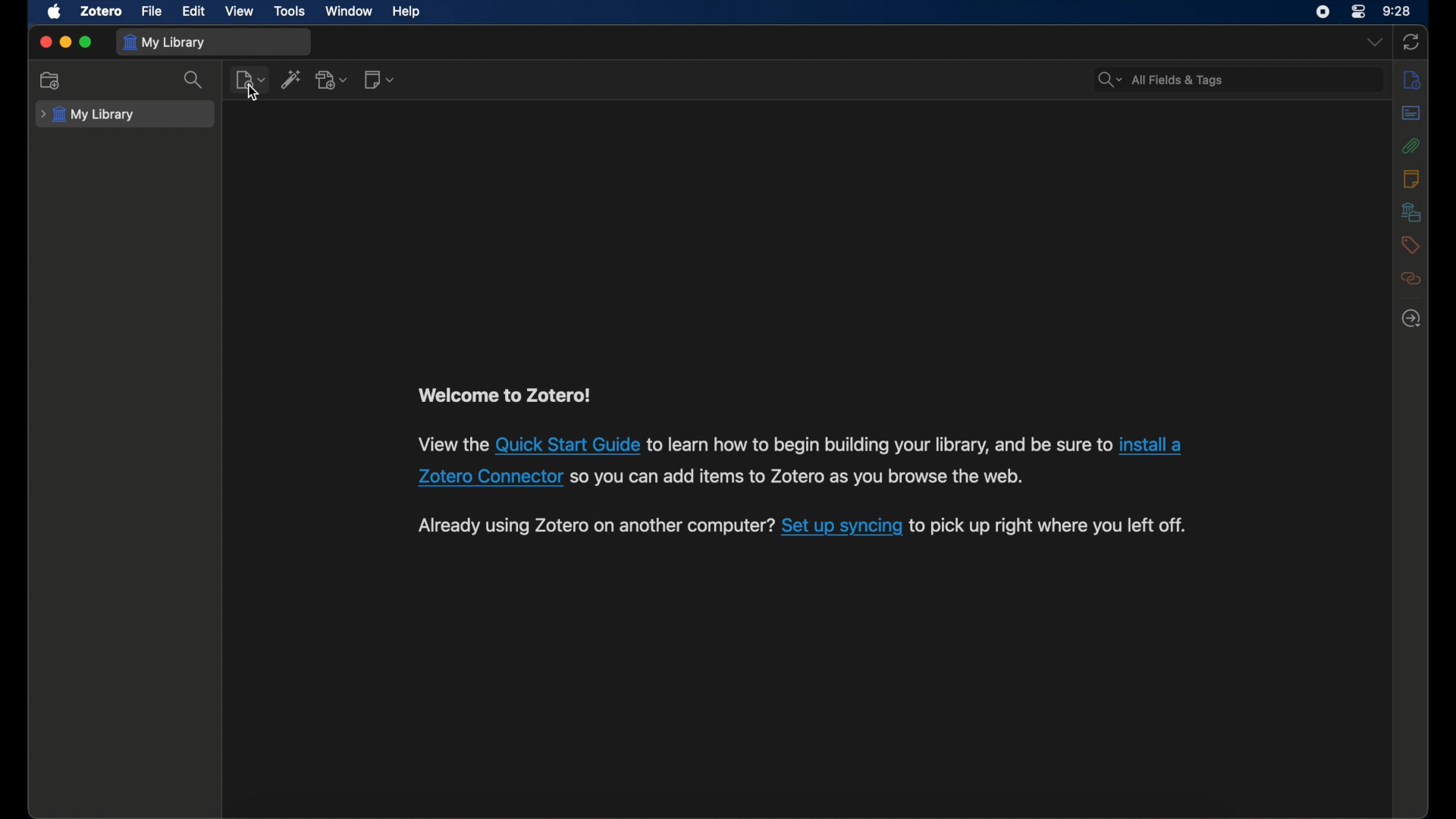 The height and width of the screenshot is (819, 1456). What do you see at coordinates (195, 11) in the screenshot?
I see `edit` at bounding box center [195, 11].